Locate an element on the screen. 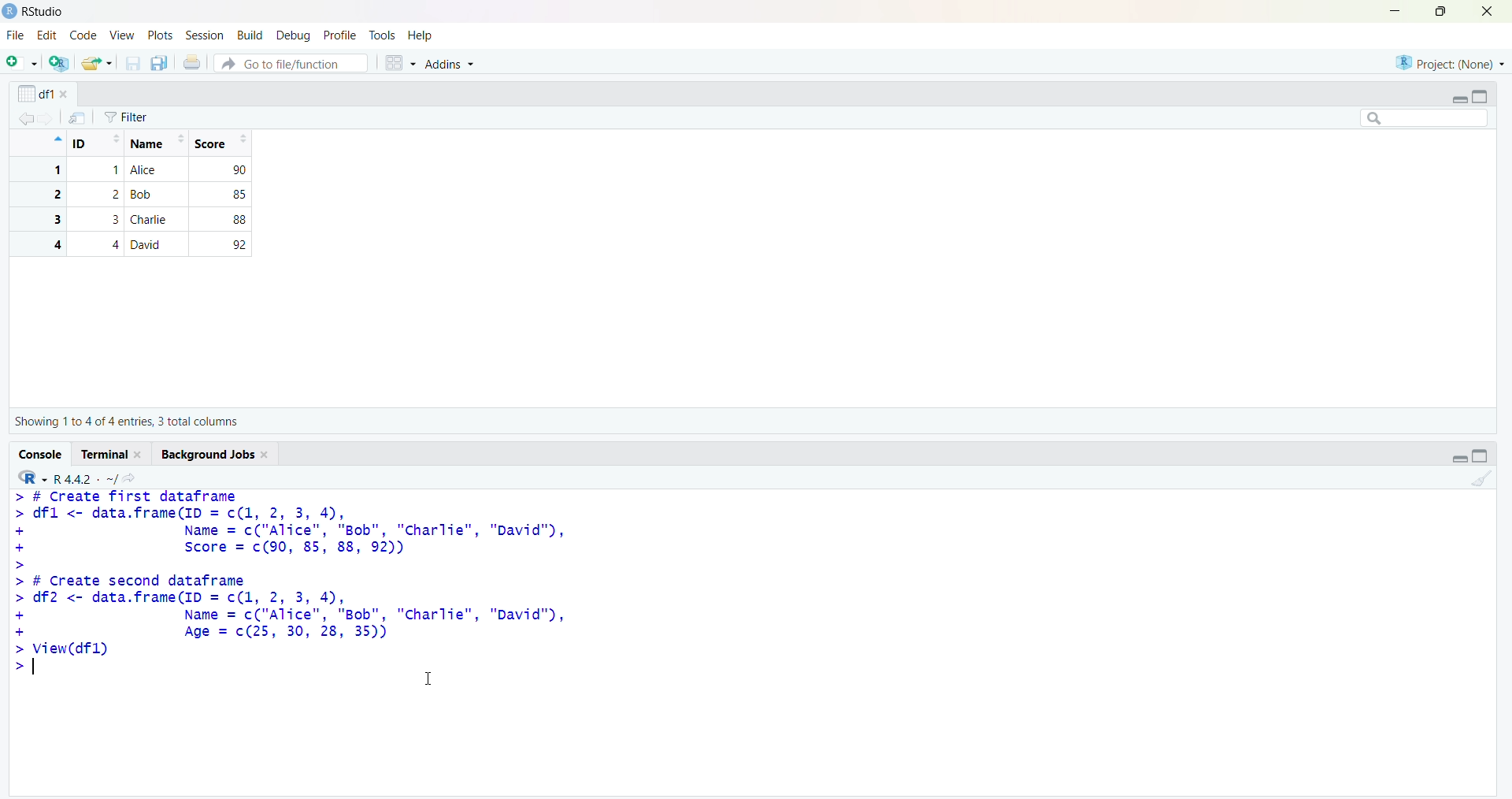 This screenshot has width=1512, height=799. 2 2 Bob 85 is located at coordinates (135, 195).